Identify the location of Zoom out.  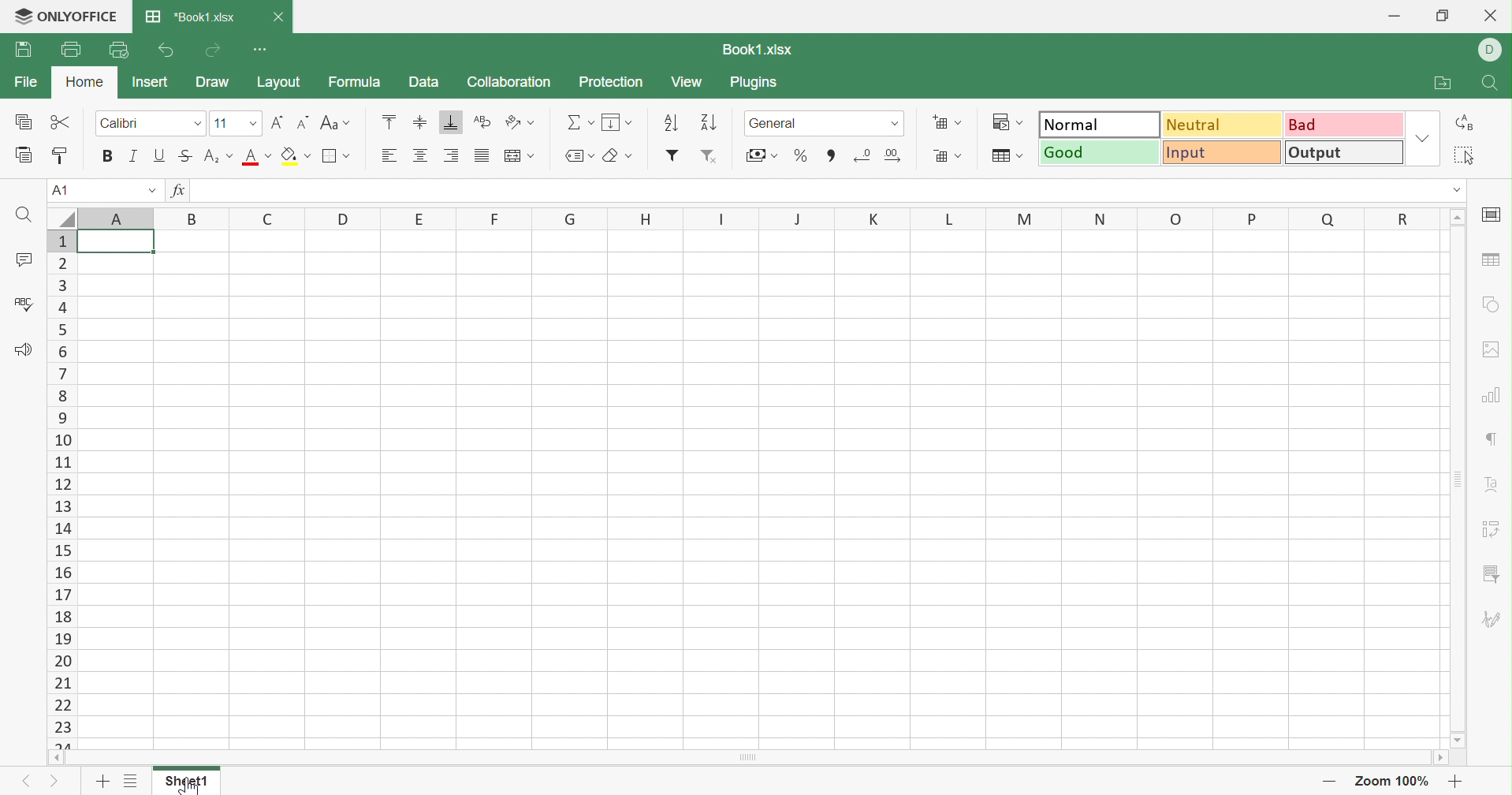
(1329, 780).